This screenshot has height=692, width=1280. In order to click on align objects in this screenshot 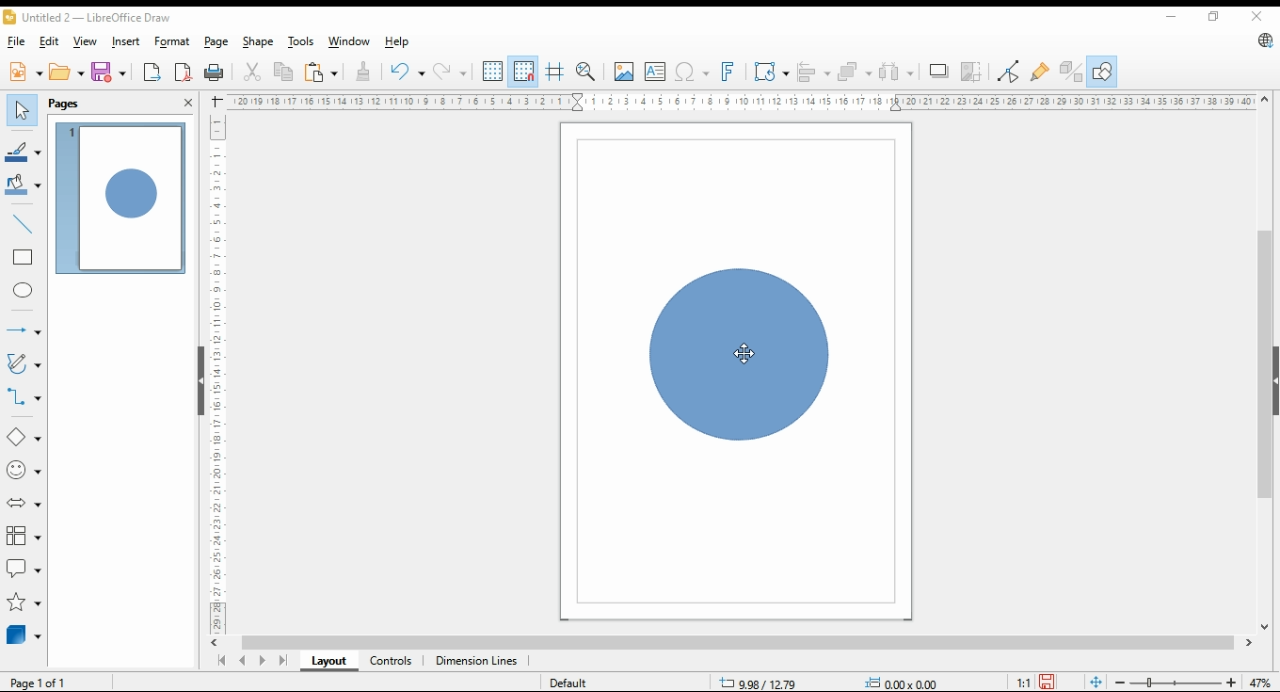, I will do `click(813, 73)`.